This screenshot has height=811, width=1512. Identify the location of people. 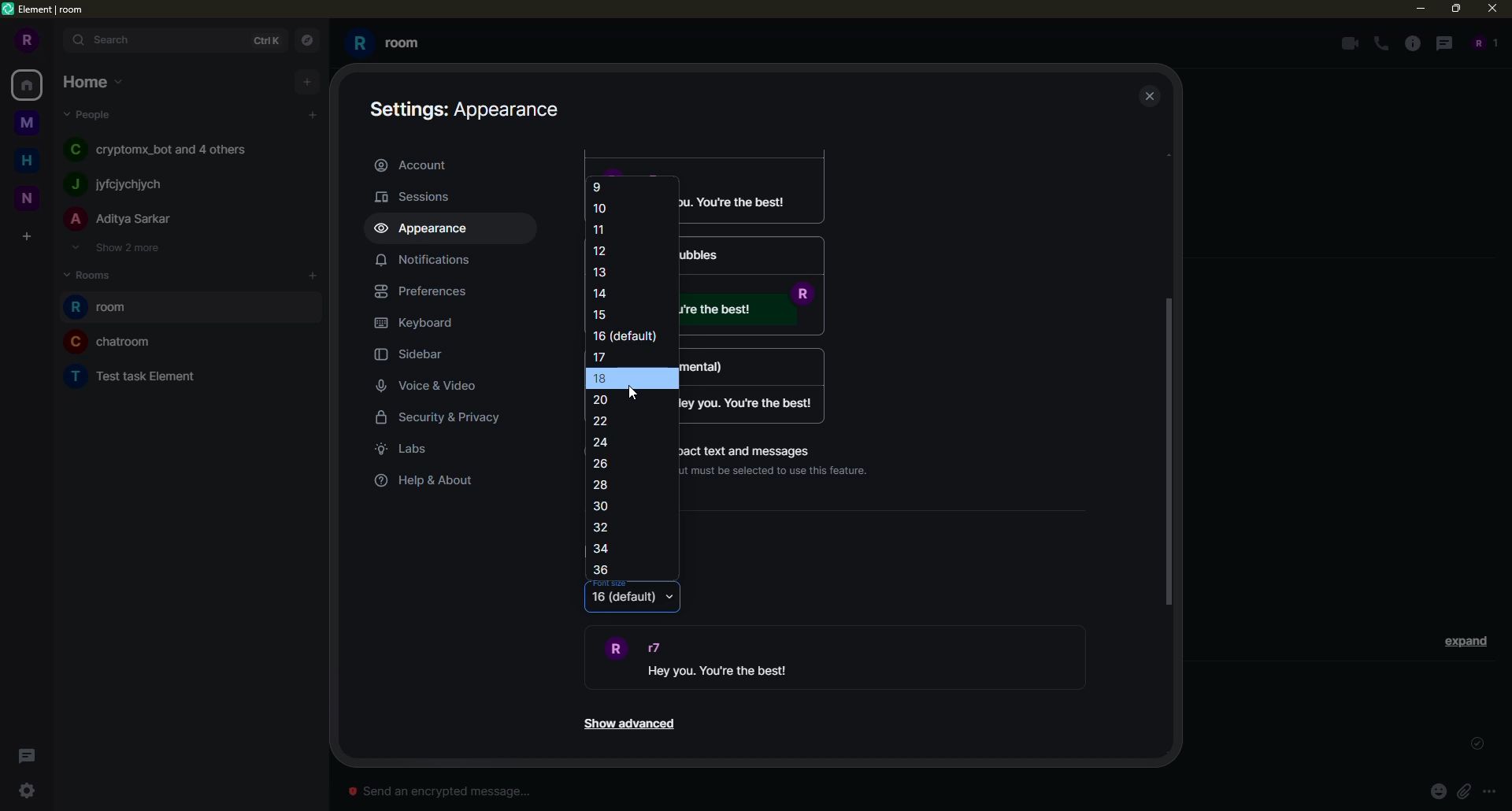
(121, 220).